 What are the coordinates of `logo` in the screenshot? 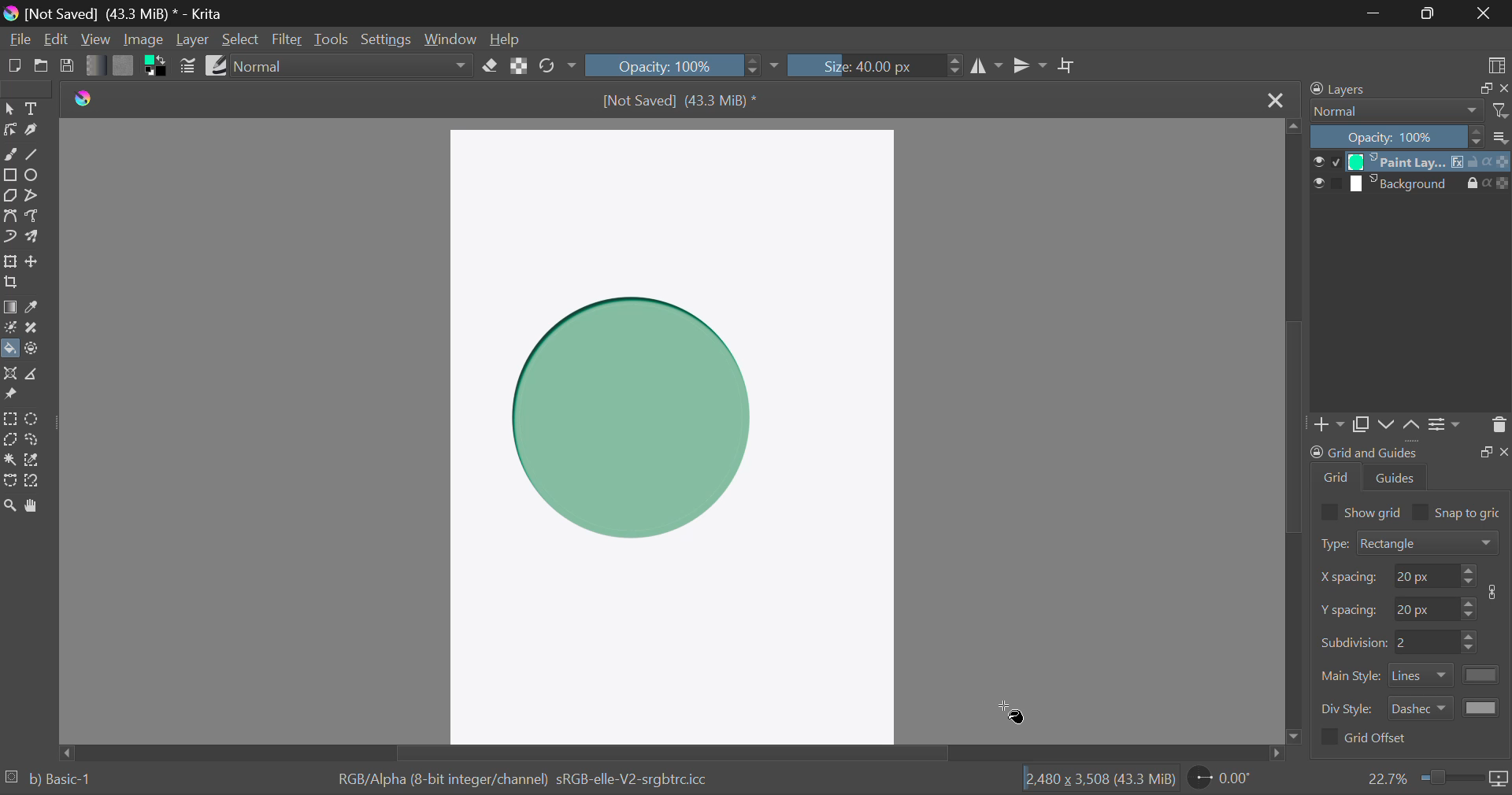 It's located at (83, 99).